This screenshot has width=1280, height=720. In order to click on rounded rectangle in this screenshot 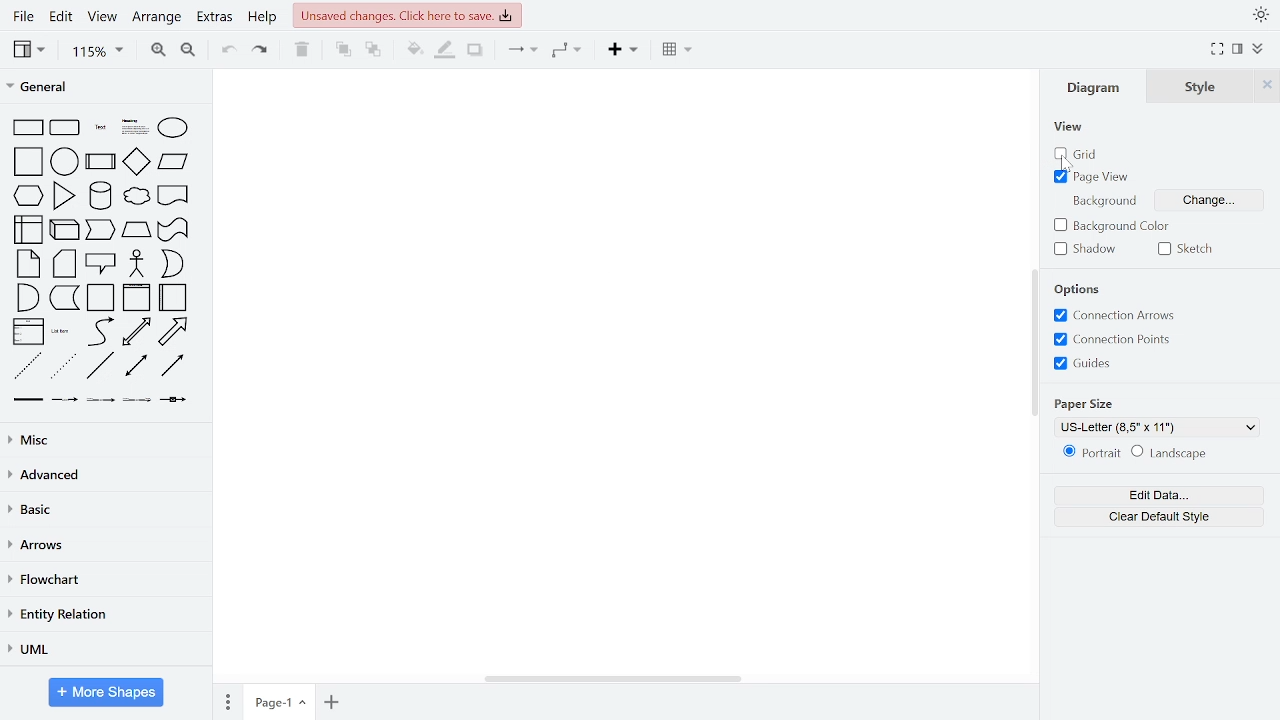, I will do `click(65, 128)`.